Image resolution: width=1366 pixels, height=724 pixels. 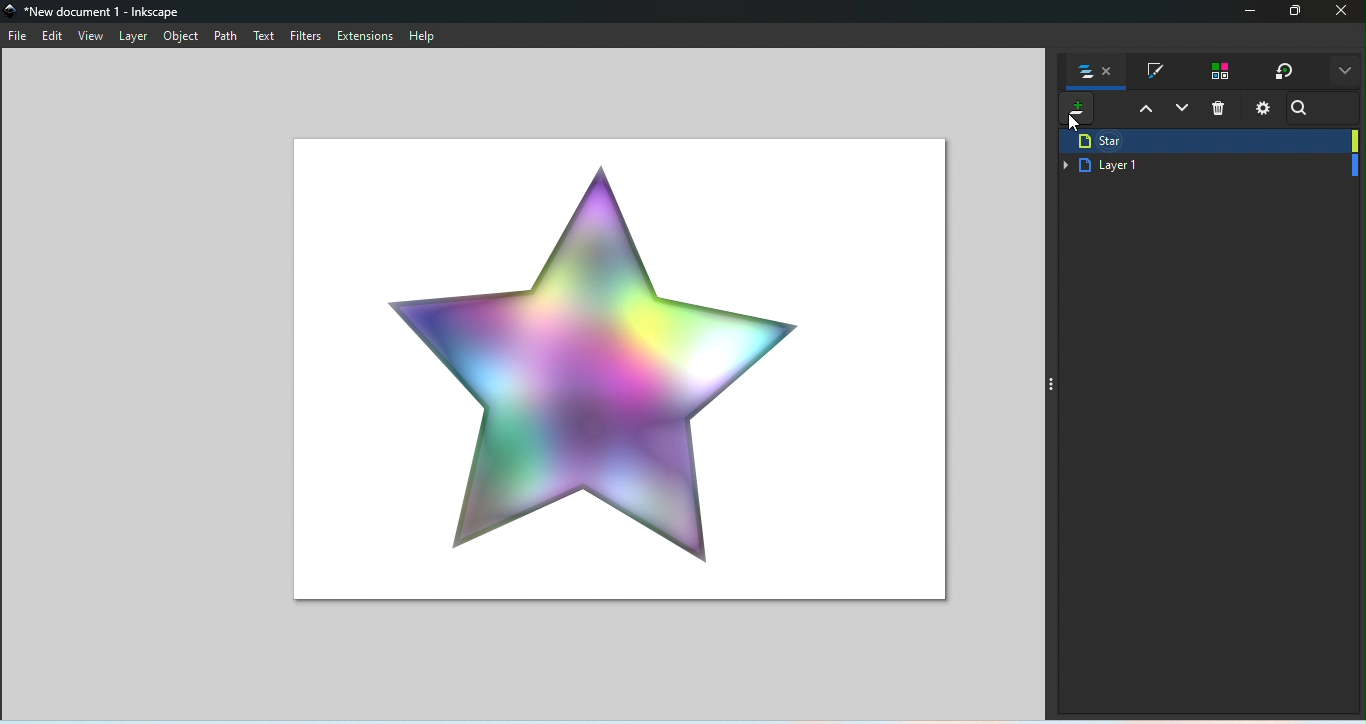 I want to click on Filters, so click(x=307, y=37).